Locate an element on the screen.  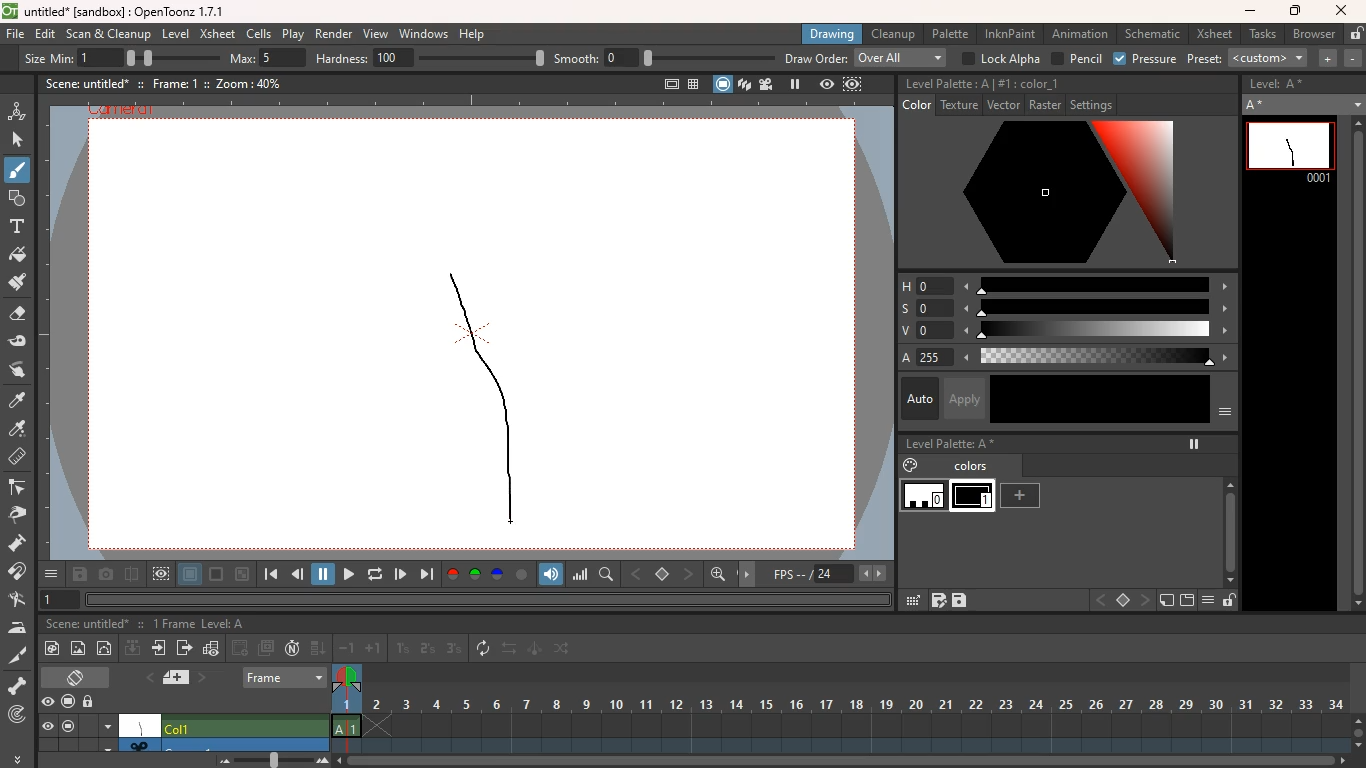
beggining is located at coordinates (268, 575).